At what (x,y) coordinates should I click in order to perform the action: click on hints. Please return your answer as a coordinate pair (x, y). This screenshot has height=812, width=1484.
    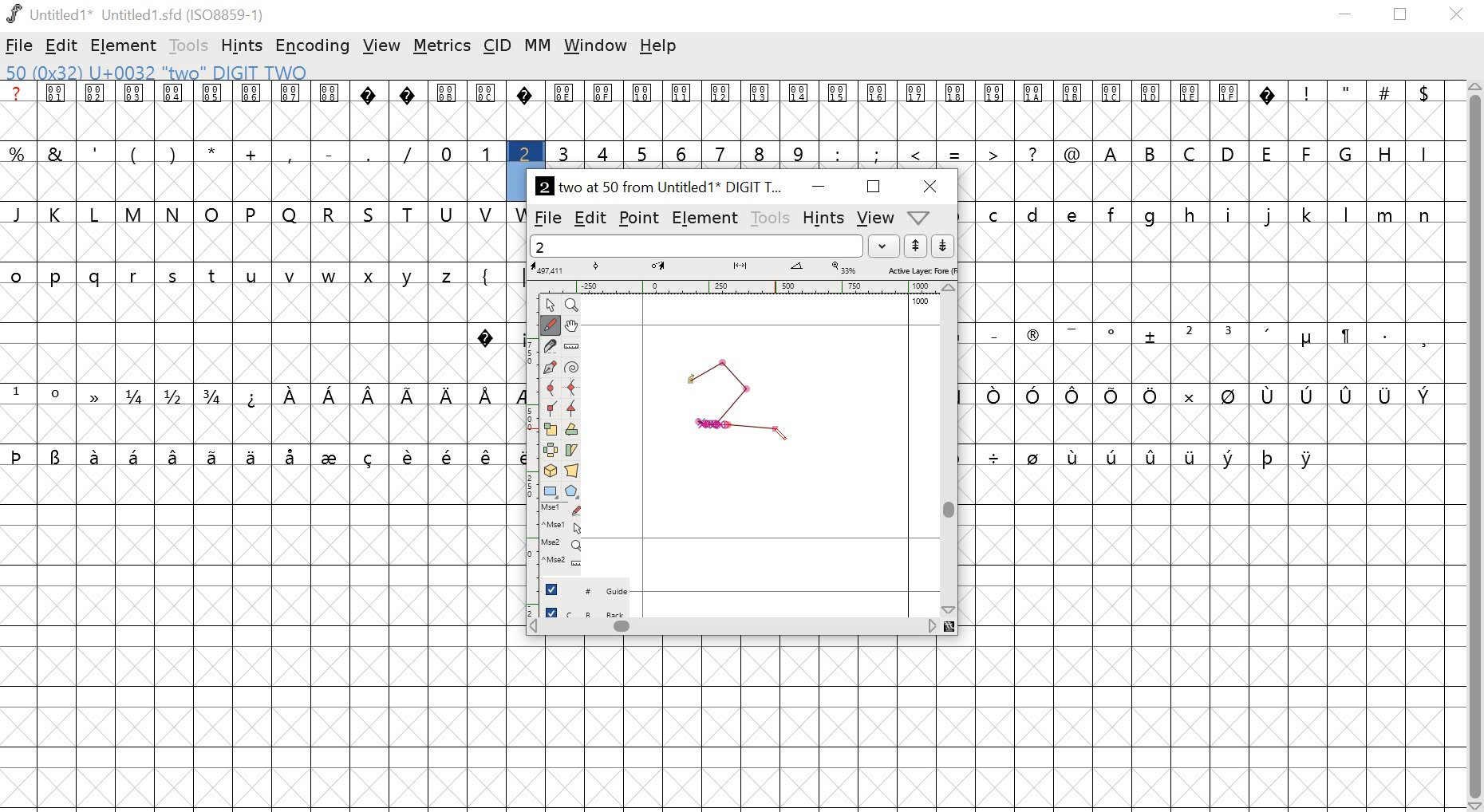
    Looking at the image, I should click on (823, 217).